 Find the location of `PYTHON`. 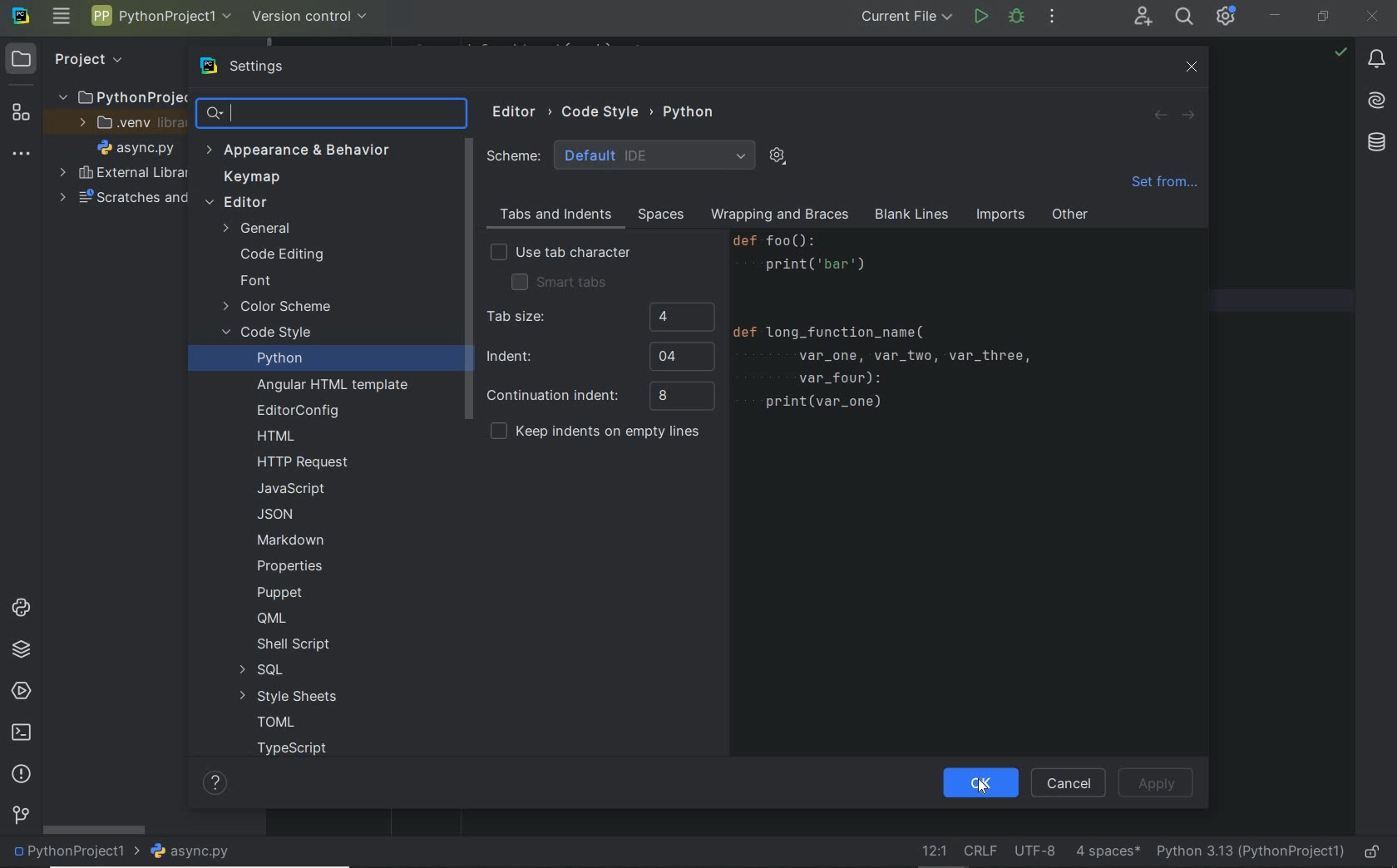

PYTHON is located at coordinates (691, 111).